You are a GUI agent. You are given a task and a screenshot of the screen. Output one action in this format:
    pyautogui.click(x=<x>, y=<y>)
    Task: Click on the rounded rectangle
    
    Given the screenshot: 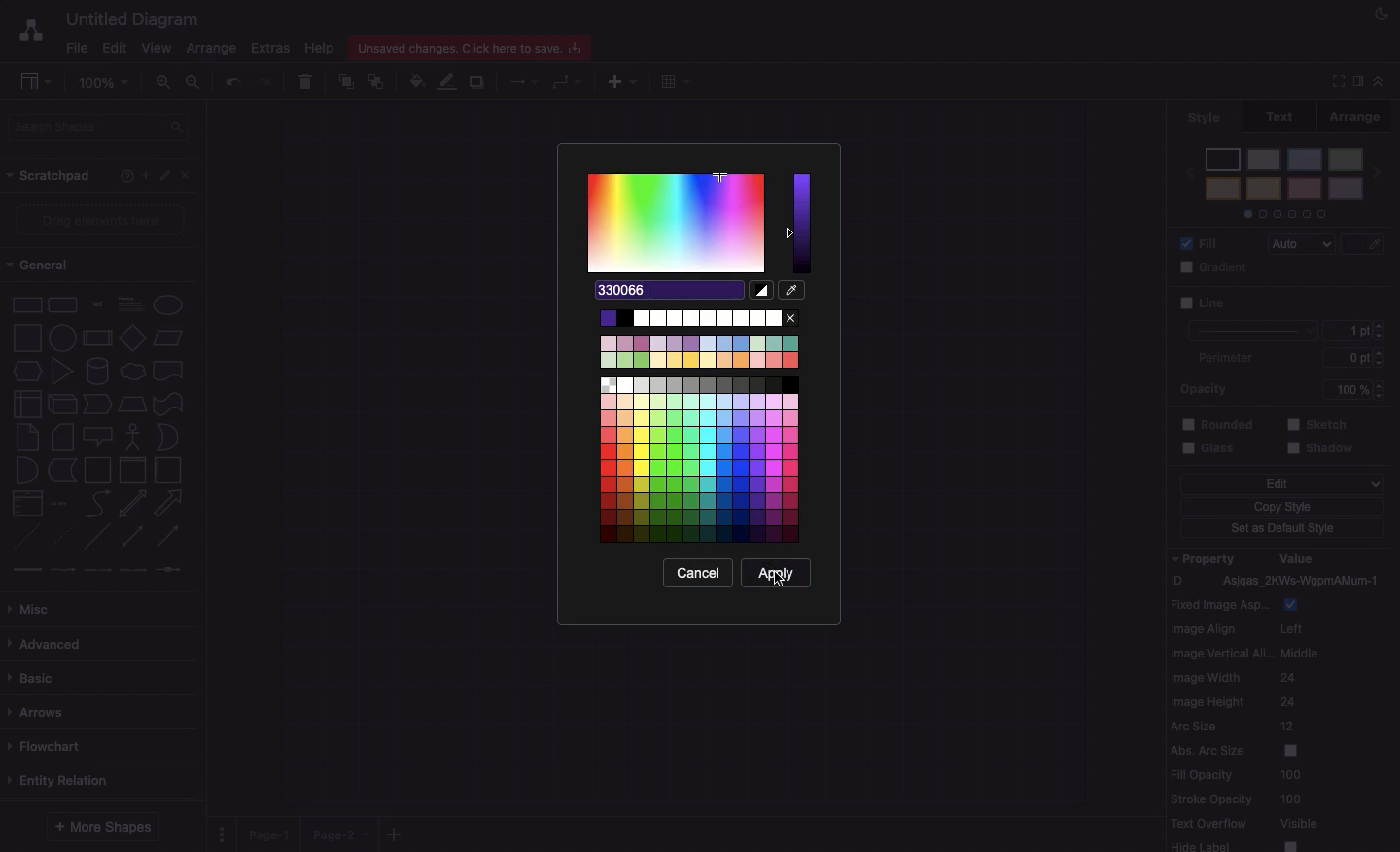 What is the action you would take?
    pyautogui.click(x=61, y=302)
    